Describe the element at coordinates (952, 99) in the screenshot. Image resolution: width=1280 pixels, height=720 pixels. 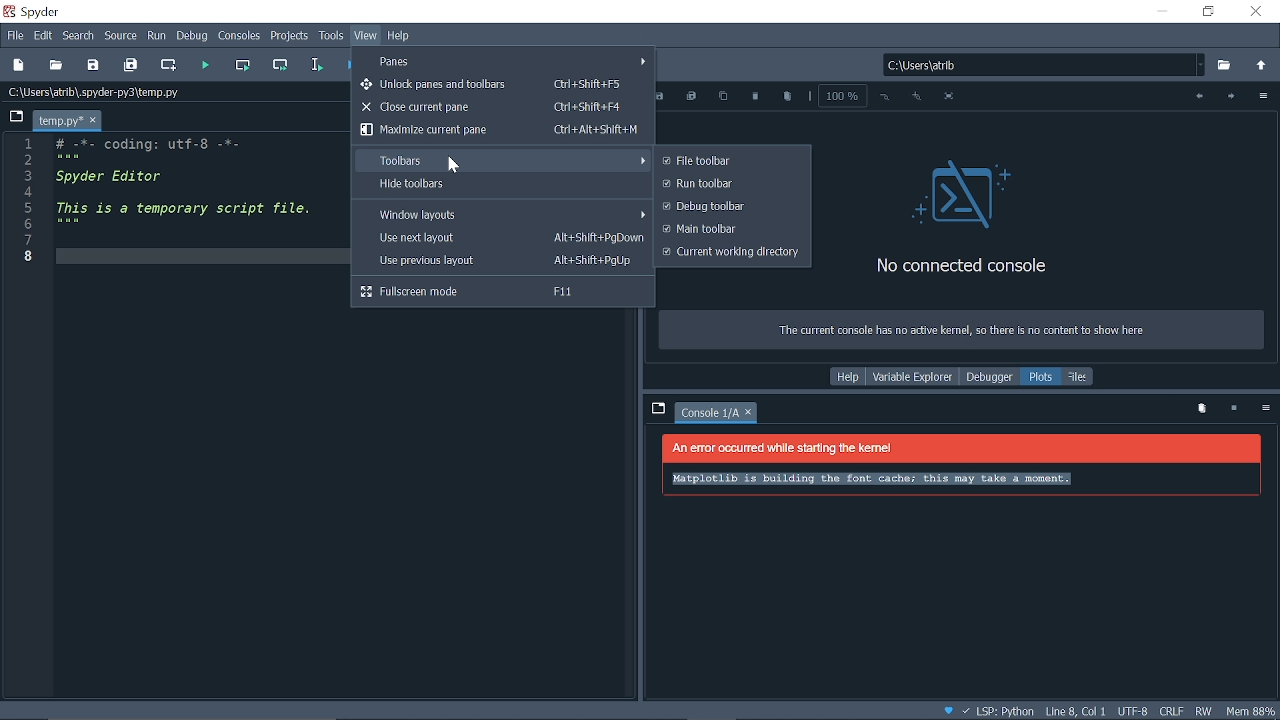
I see `Fit to width` at that location.